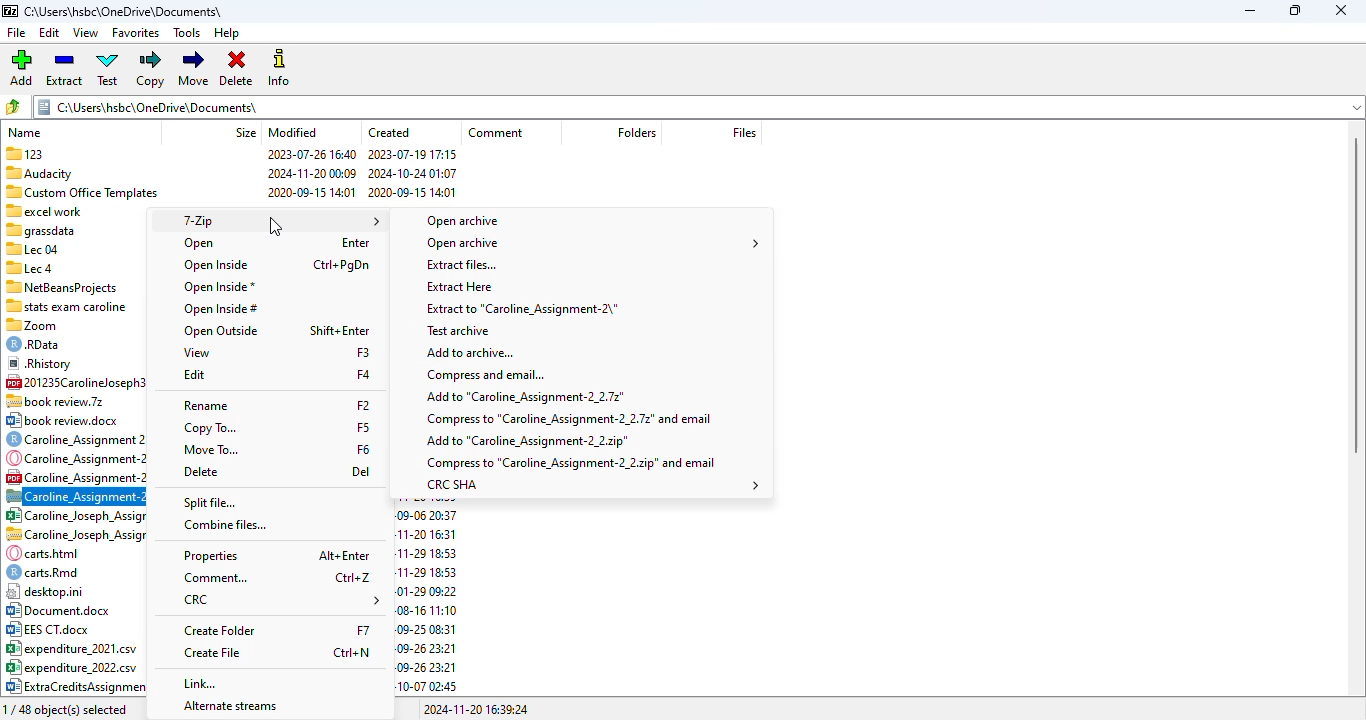 This screenshot has height=720, width=1366. I want to click on CRC SHA, so click(591, 485).